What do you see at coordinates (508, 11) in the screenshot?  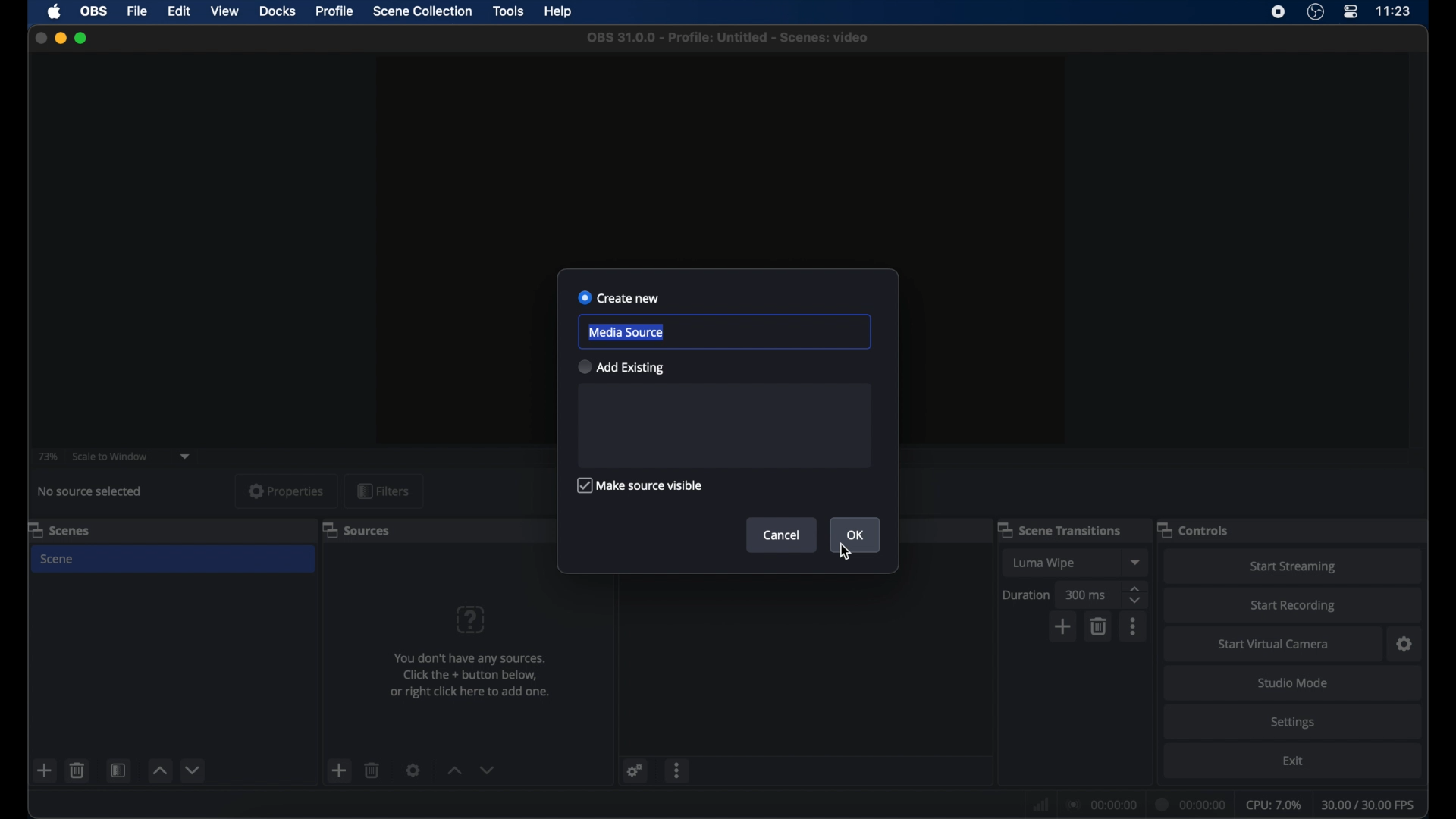 I see `tools` at bounding box center [508, 11].